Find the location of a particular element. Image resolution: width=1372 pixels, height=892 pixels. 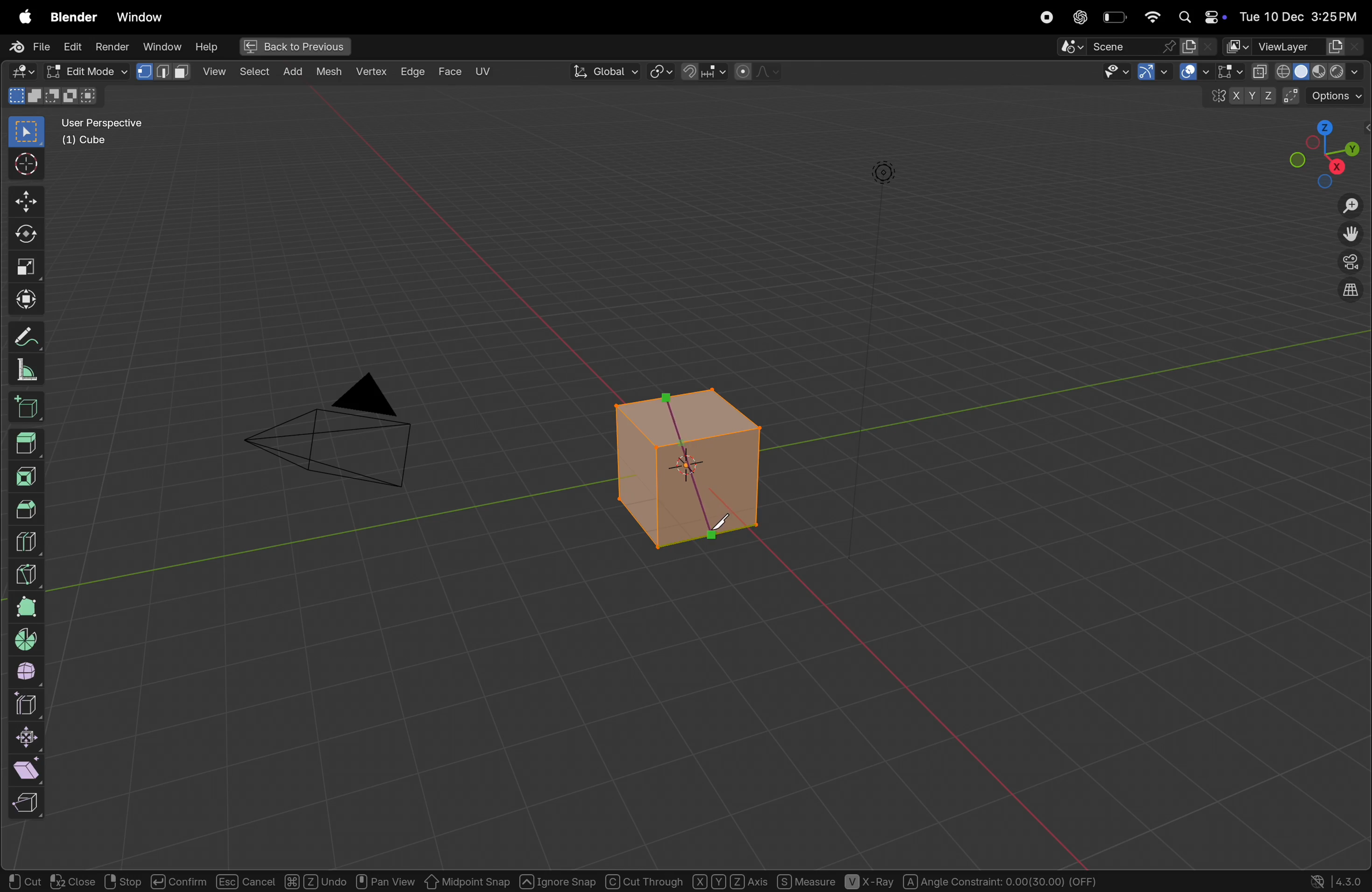

Midpoint Snap is located at coordinates (468, 881).